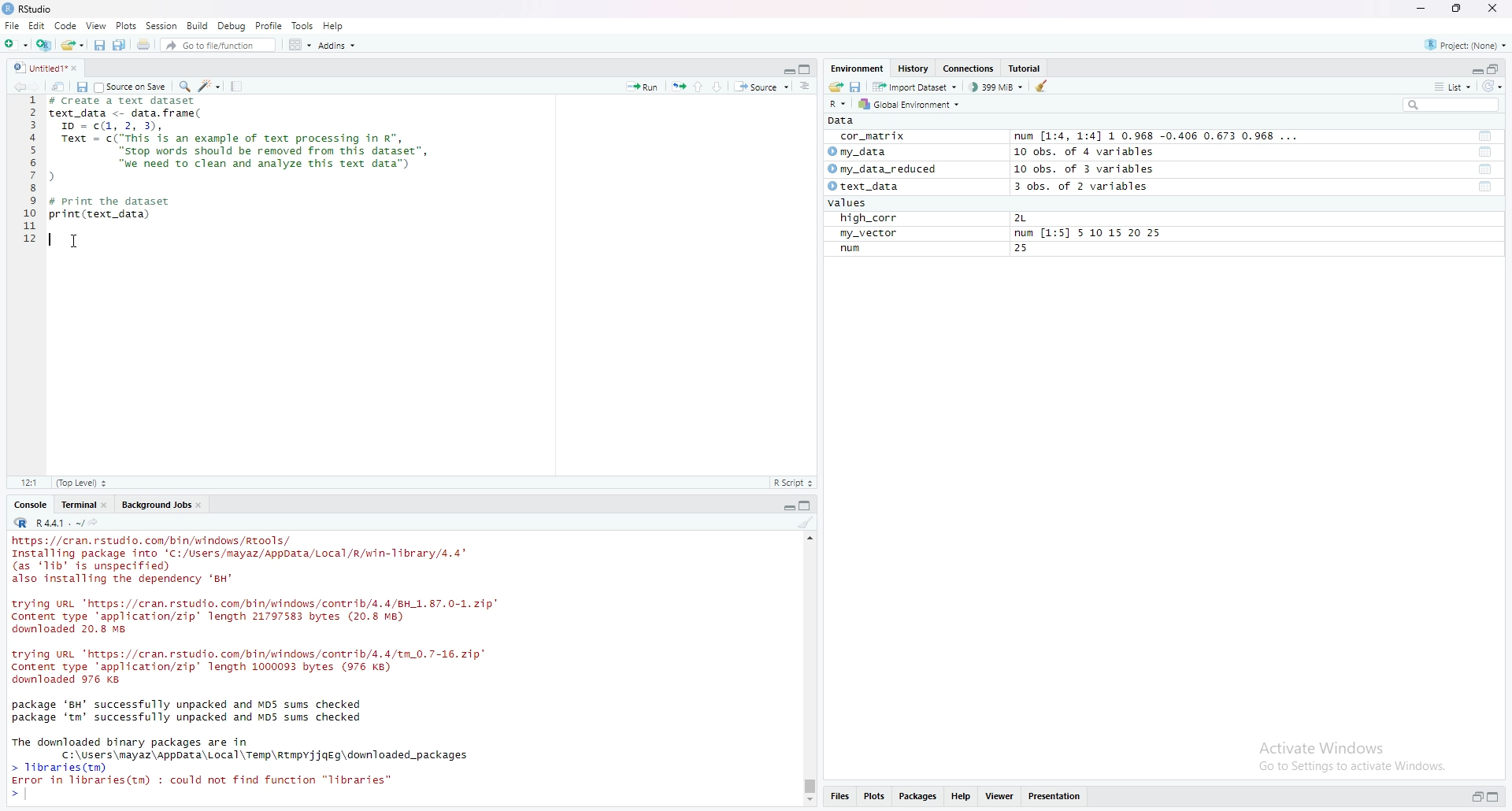 Image resolution: width=1512 pixels, height=811 pixels. Describe the element at coordinates (870, 234) in the screenshot. I see `my_vector` at that location.